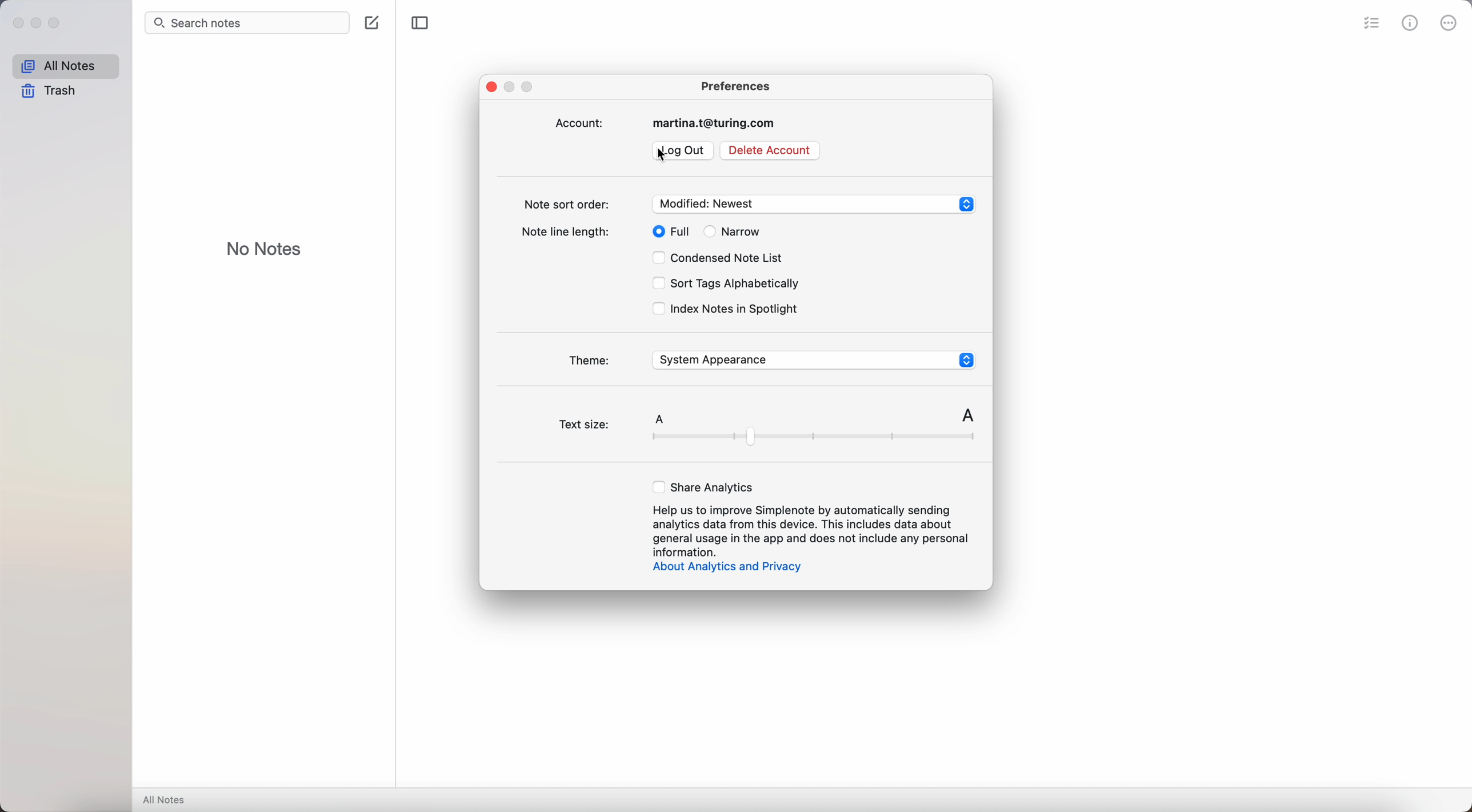  I want to click on full, so click(679, 232).